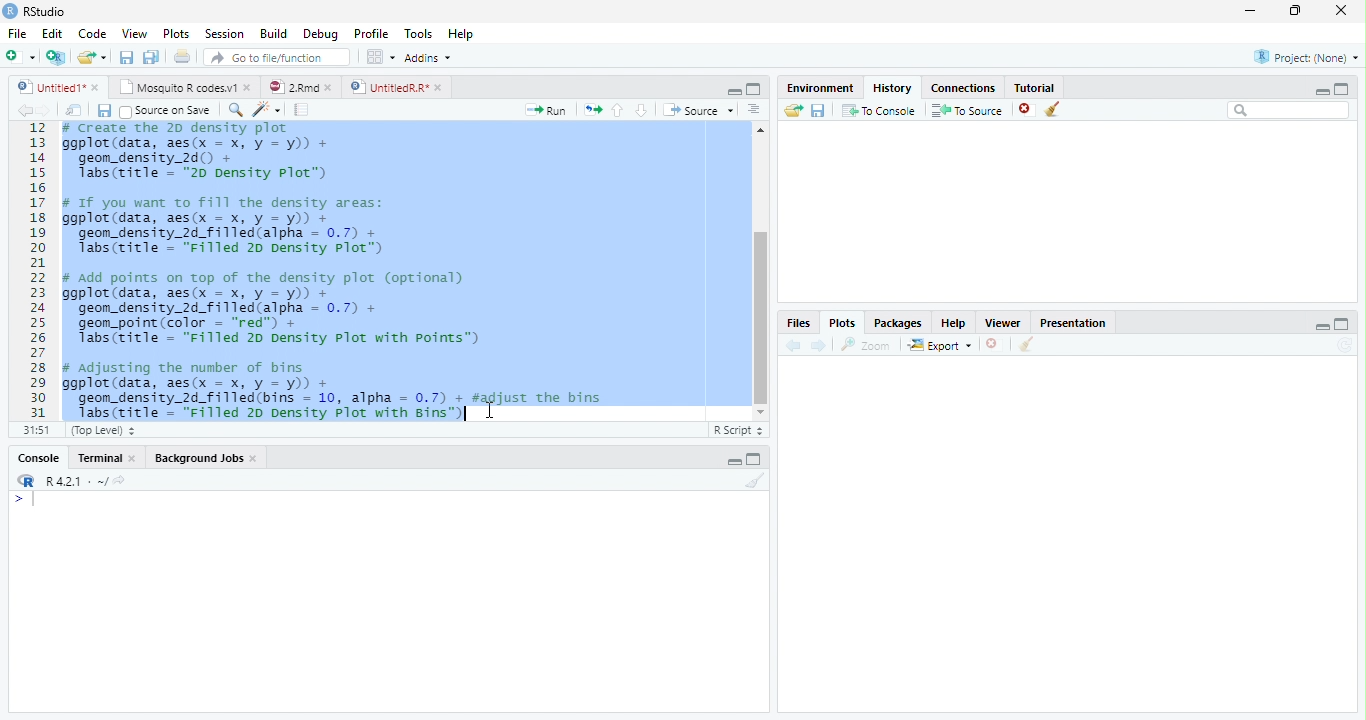 The width and height of the screenshot is (1366, 720). I want to click on Source on Save, so click(163, 111).